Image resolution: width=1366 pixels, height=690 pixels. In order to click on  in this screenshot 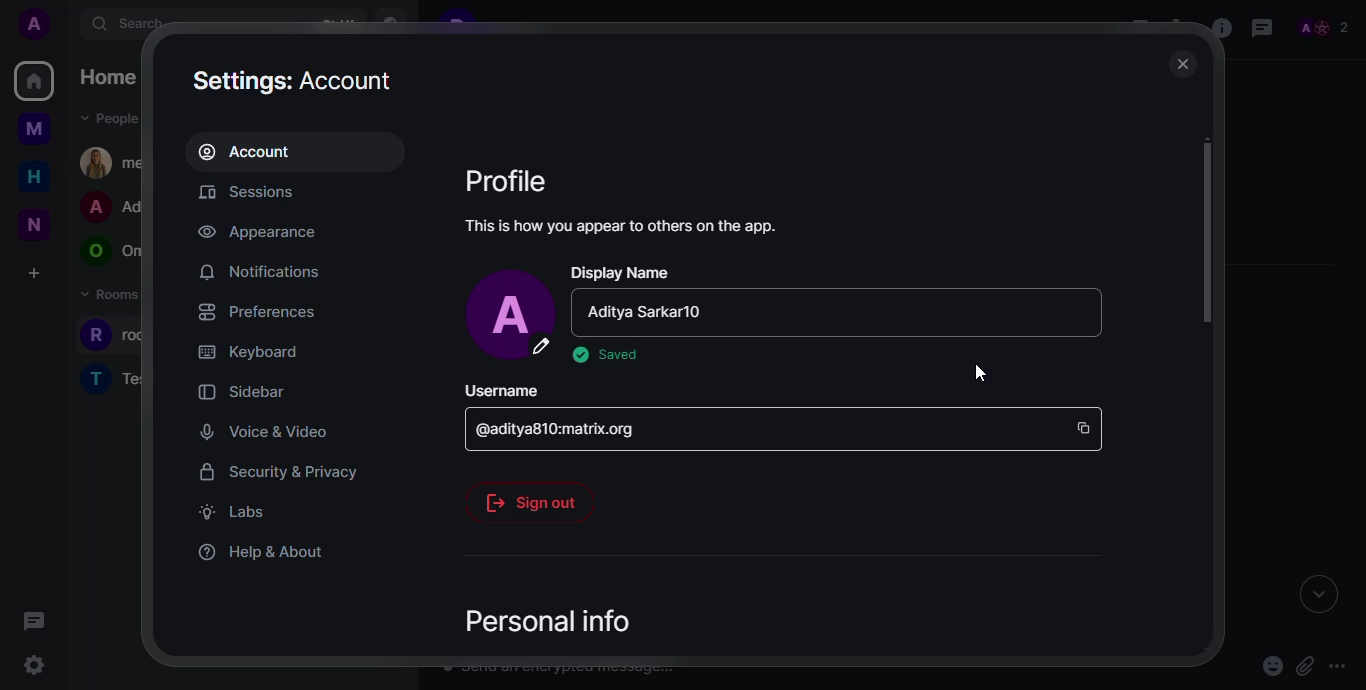, I will do `click(981, 369)`.